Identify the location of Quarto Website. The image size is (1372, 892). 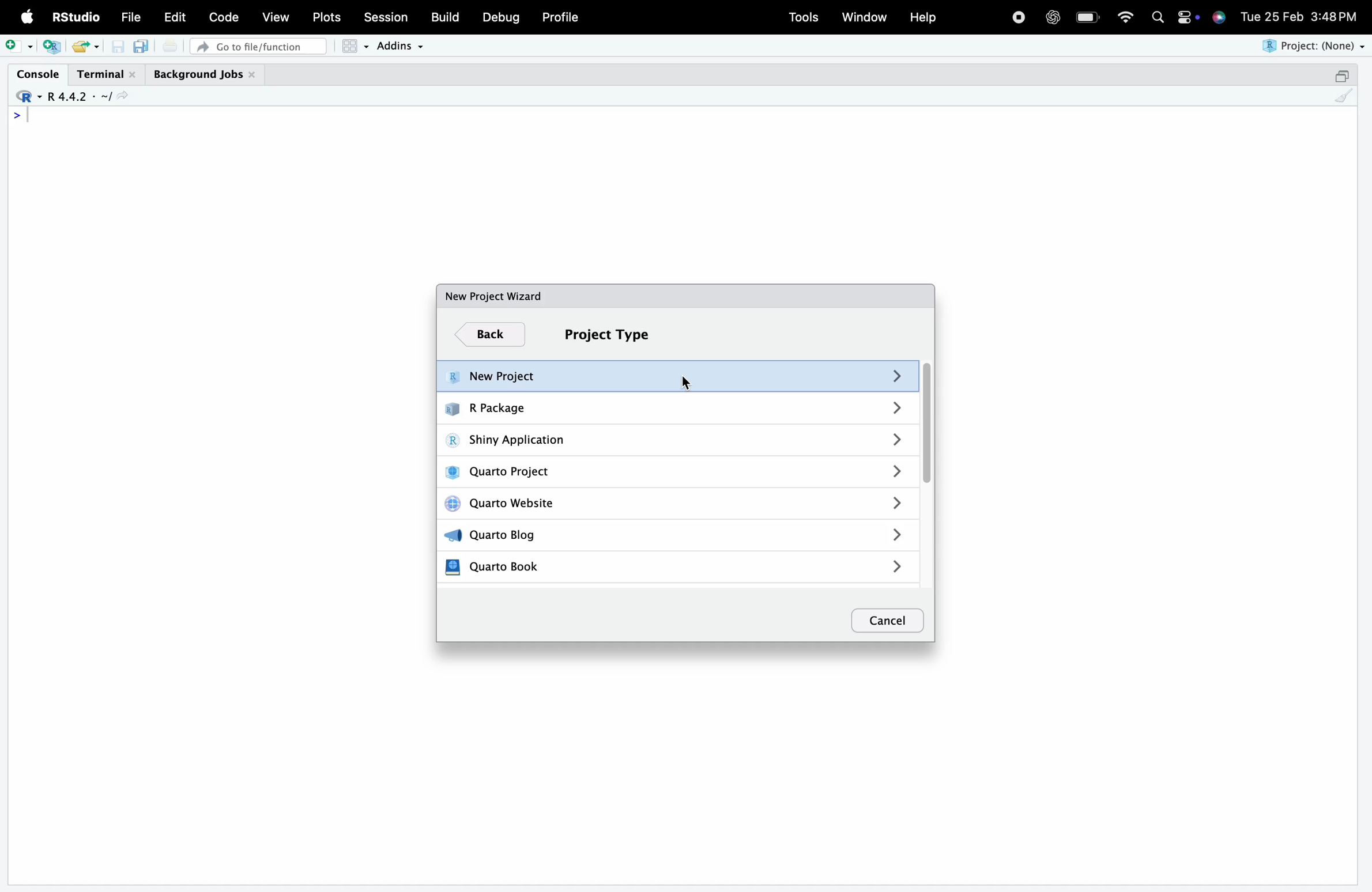
(678, 505).